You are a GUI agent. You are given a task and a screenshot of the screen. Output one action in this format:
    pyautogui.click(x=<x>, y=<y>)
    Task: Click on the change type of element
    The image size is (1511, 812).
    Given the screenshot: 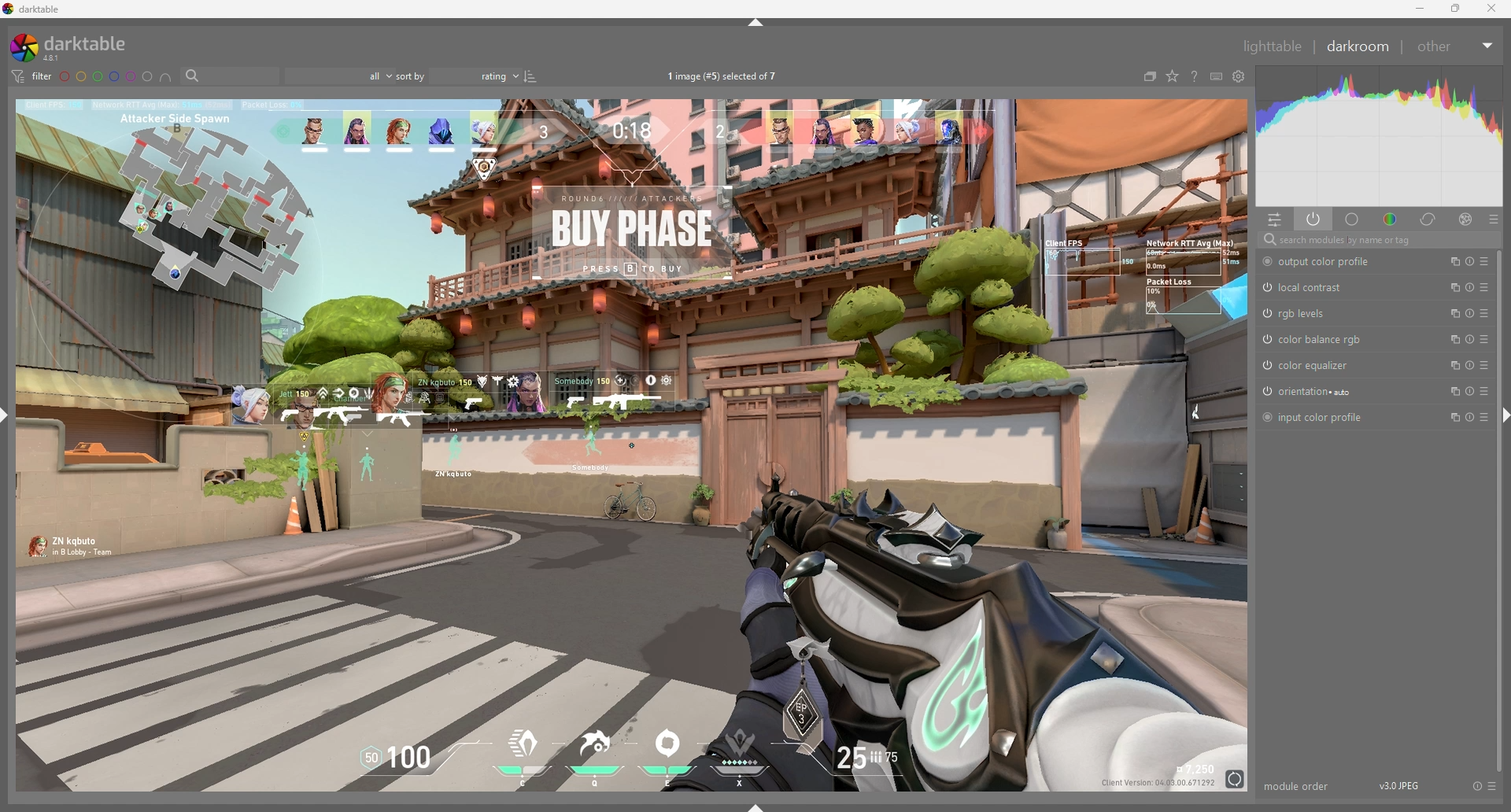 What is the action you would take?
    pyautogui.click(x=1173, y=76)
    